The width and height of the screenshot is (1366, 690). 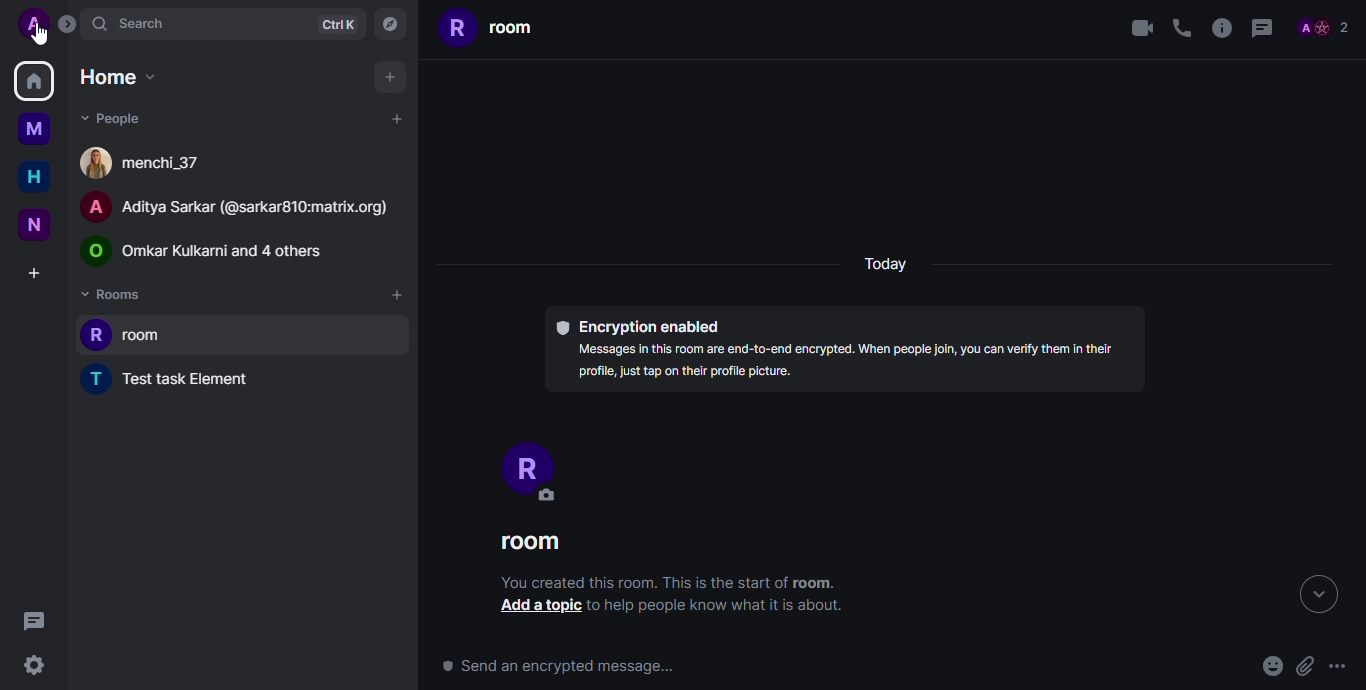 What do you see at coordinates (337, 24) in the screenshot?
I see `ctrlK` at bounding box center [337, 24].